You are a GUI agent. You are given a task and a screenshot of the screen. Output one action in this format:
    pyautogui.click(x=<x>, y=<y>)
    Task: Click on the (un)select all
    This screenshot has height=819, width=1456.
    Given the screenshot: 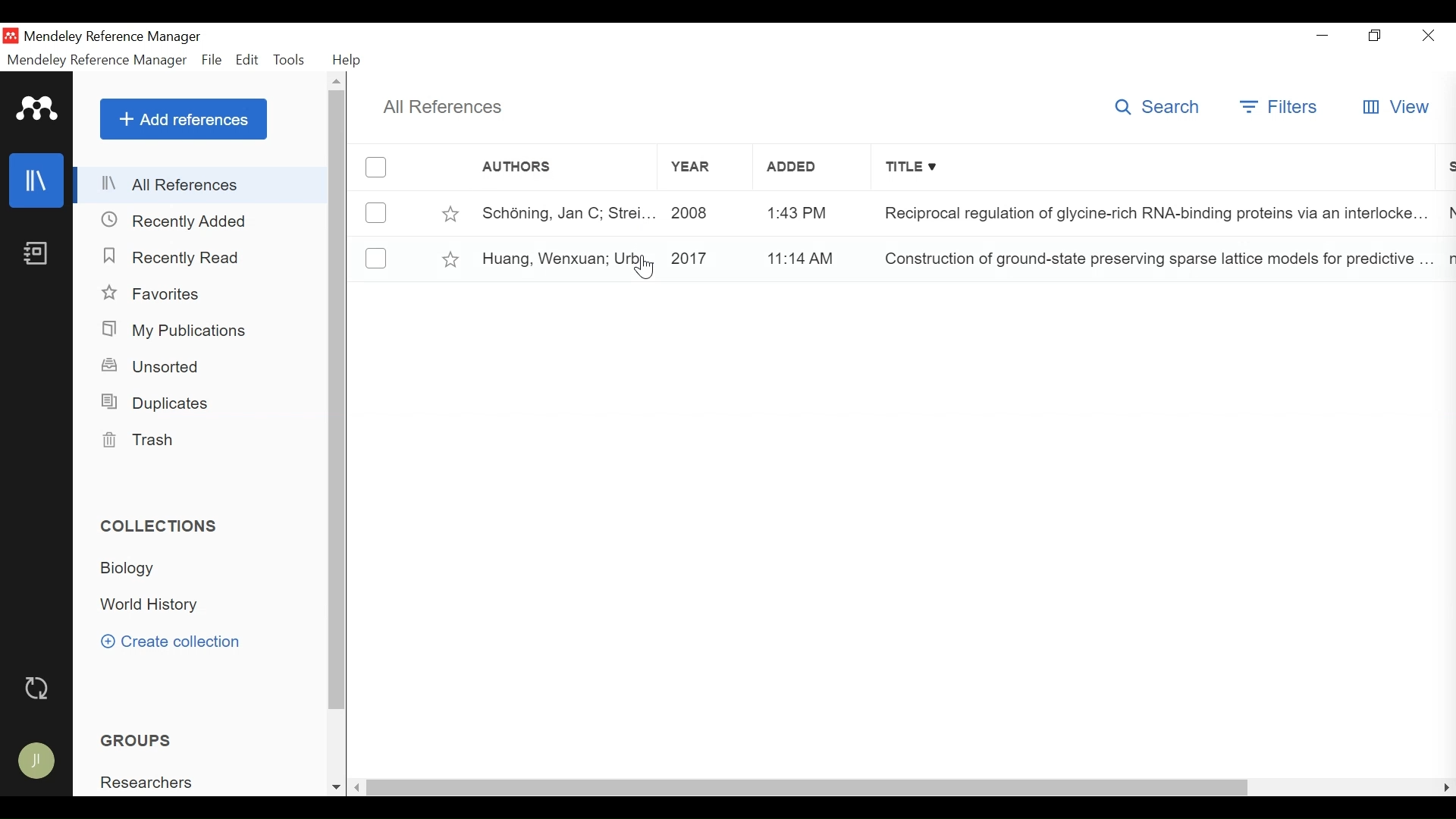 What is the action you would take?
    pyautogui.click(x=376, y=168)
    